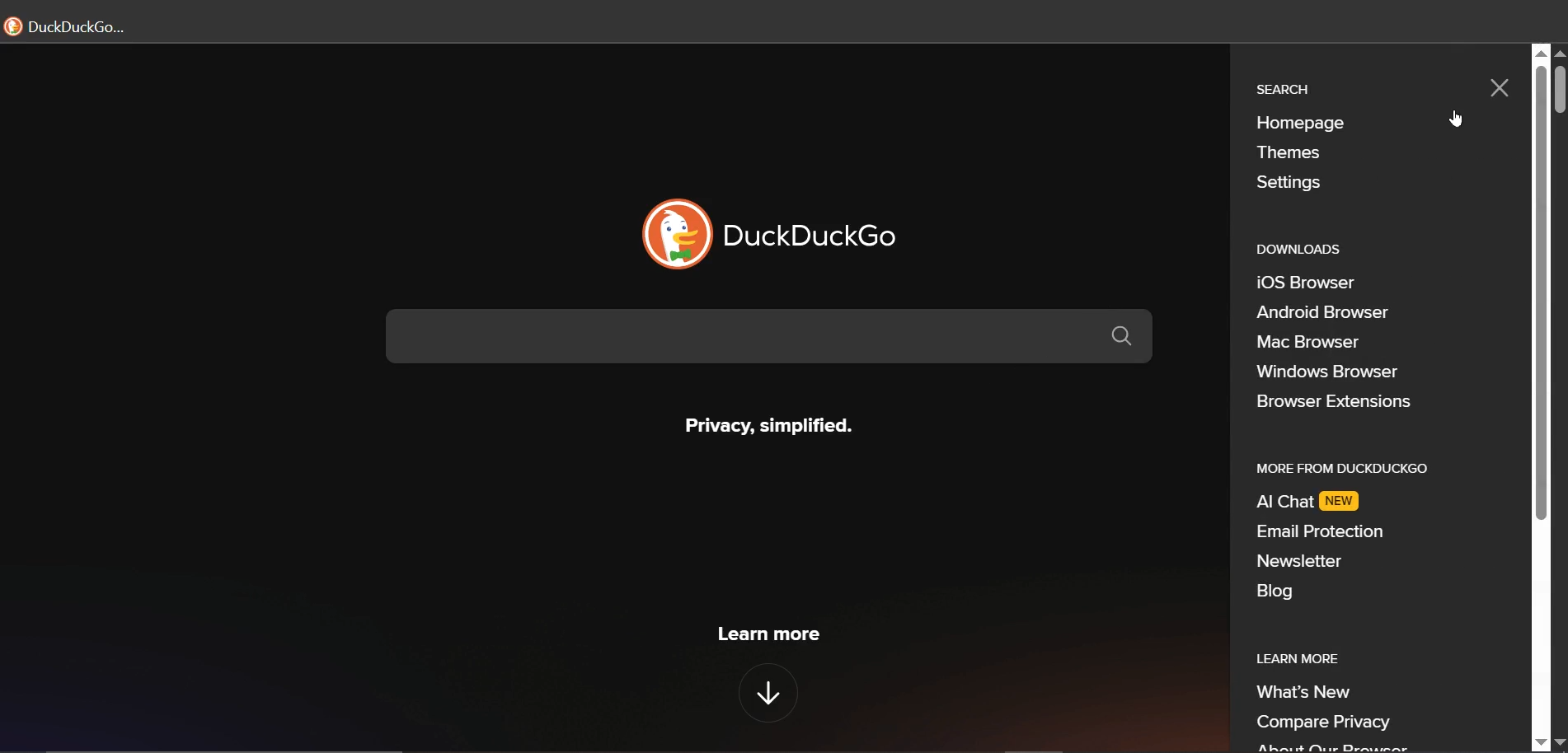  Describe the element at coordinates (1282, 86) in the screenshot. I see `SEARCH` at that location.